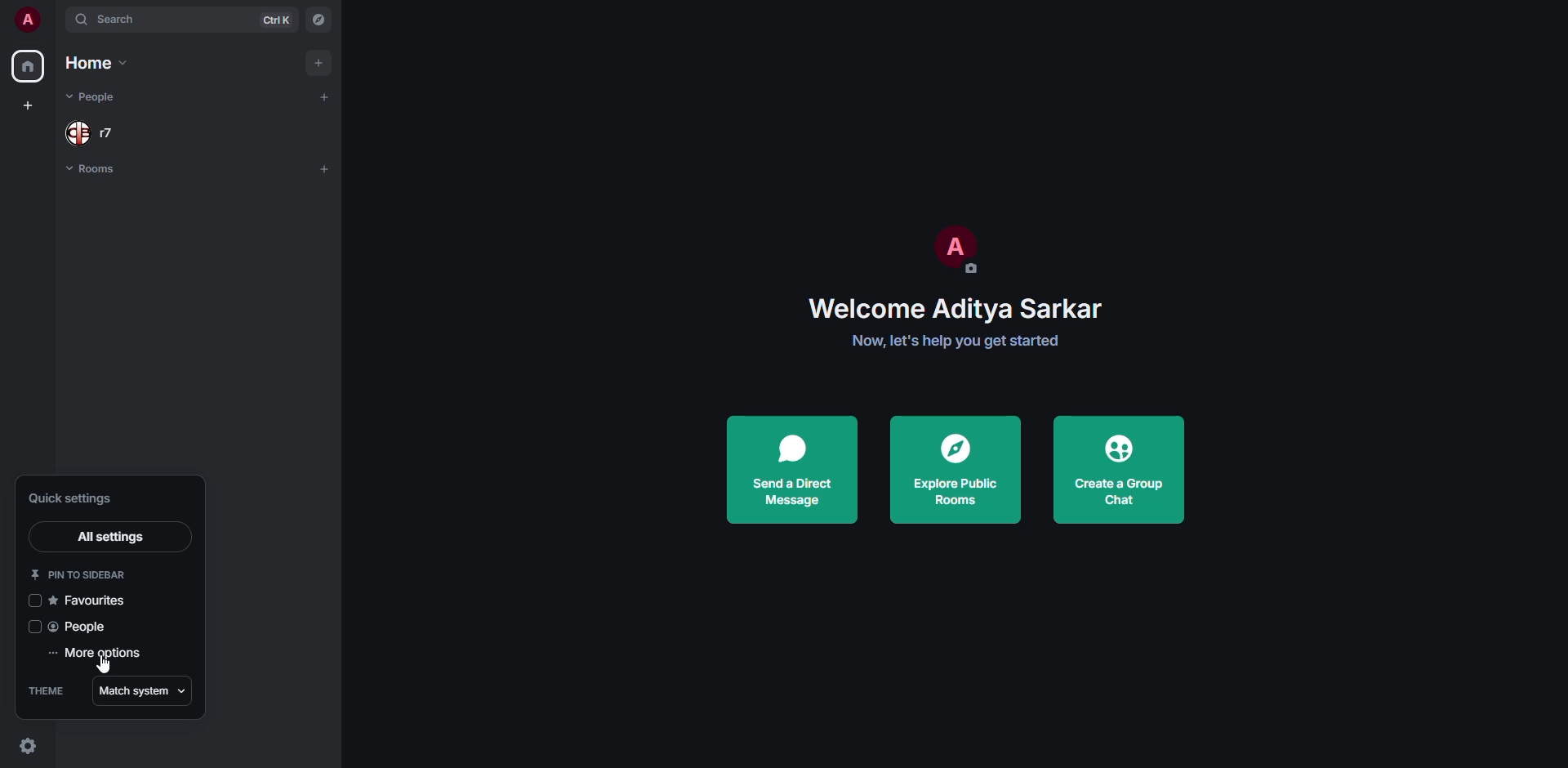 This screenshot has width=1568, height=768. I want to click on create space, so click(31, 106).